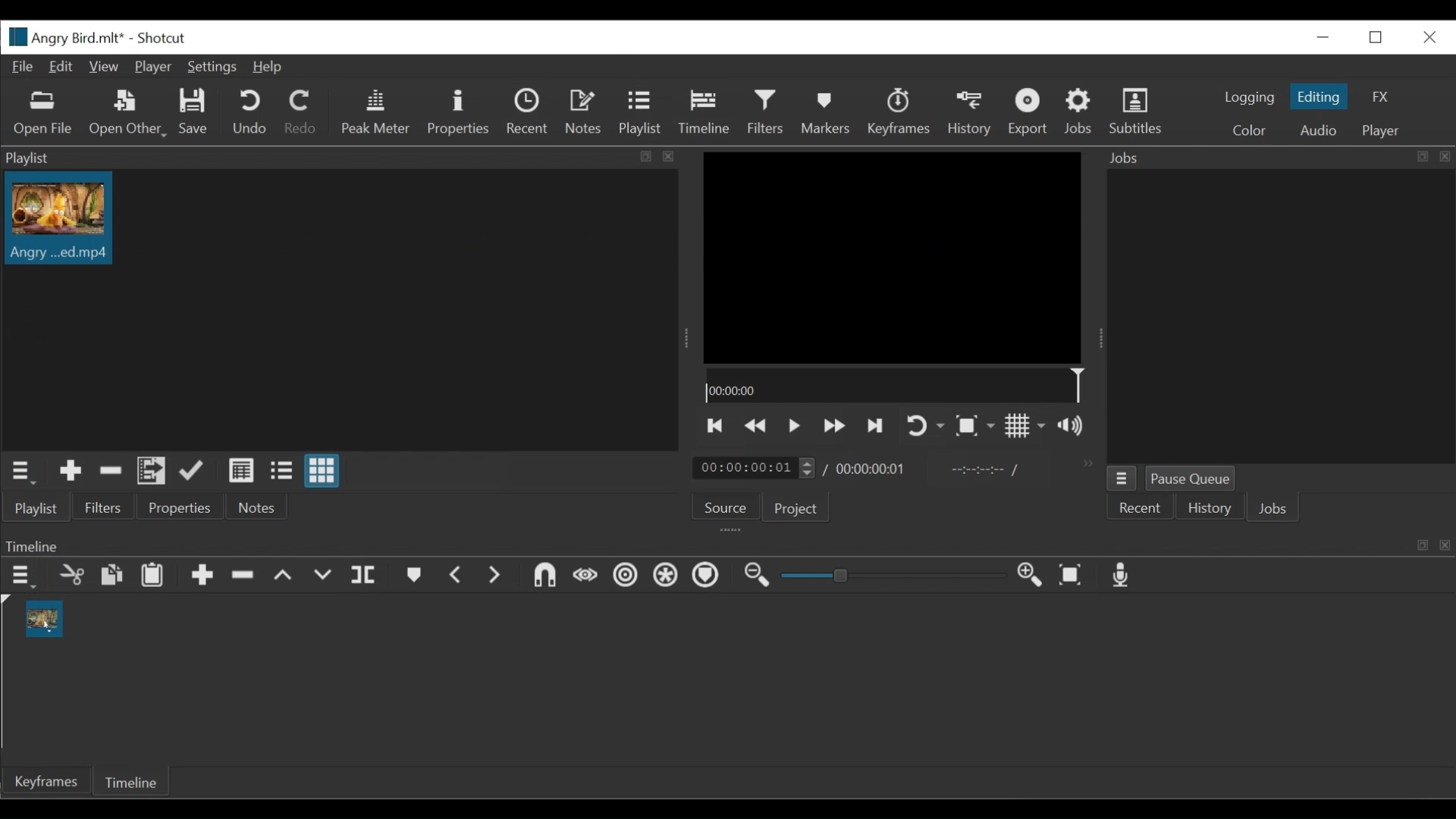 Image resolution: width=1456 pixels, height=819 pixels. What do you see at coordinates (1313, 130) in the screenshot?
I see `Audio` at bounding box center [1313, 130].